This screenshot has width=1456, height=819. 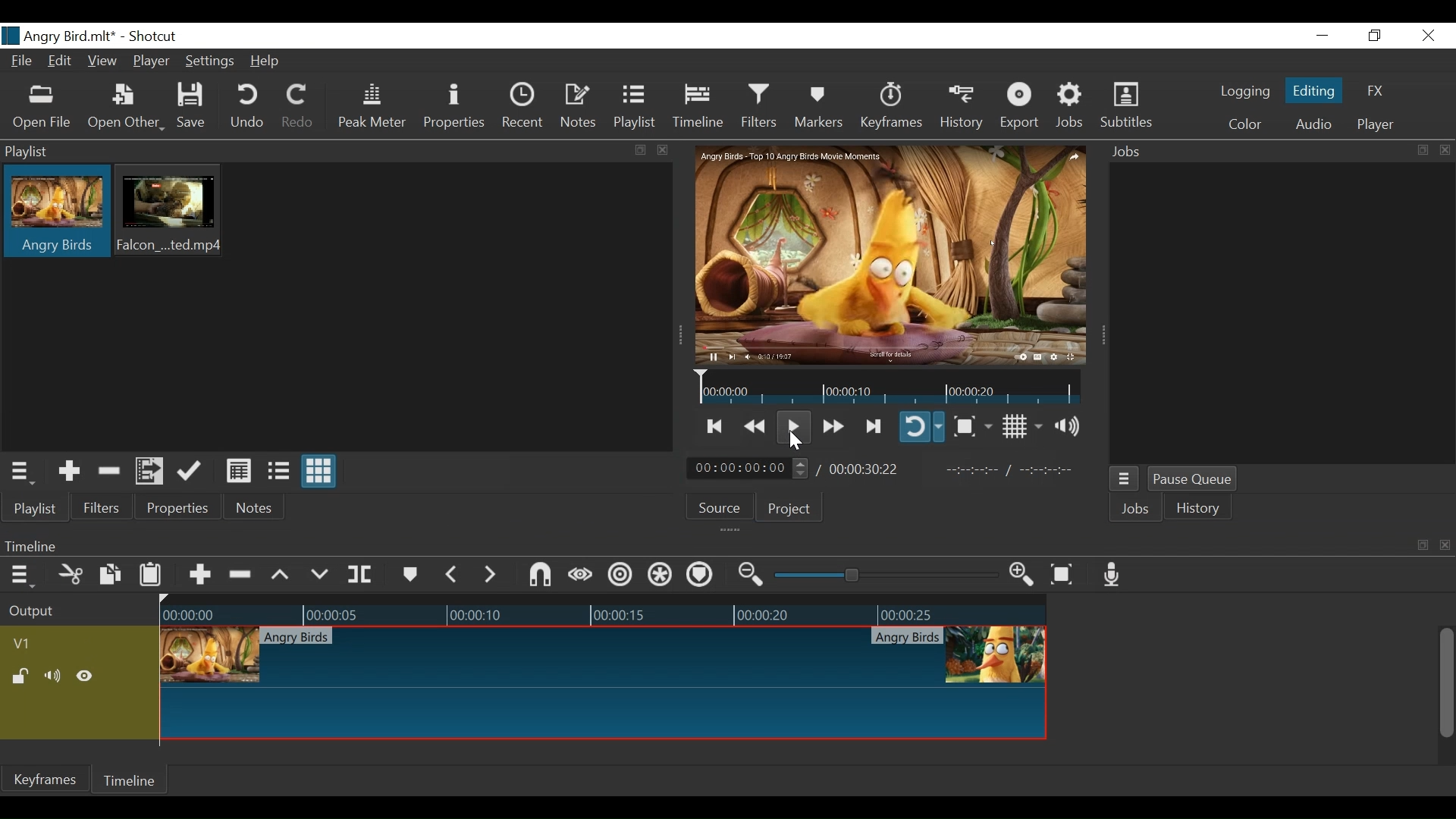 What do you see at coordinates (750, 469) in the screenshot?
I see `Current position` at bounding box center [750, 469].